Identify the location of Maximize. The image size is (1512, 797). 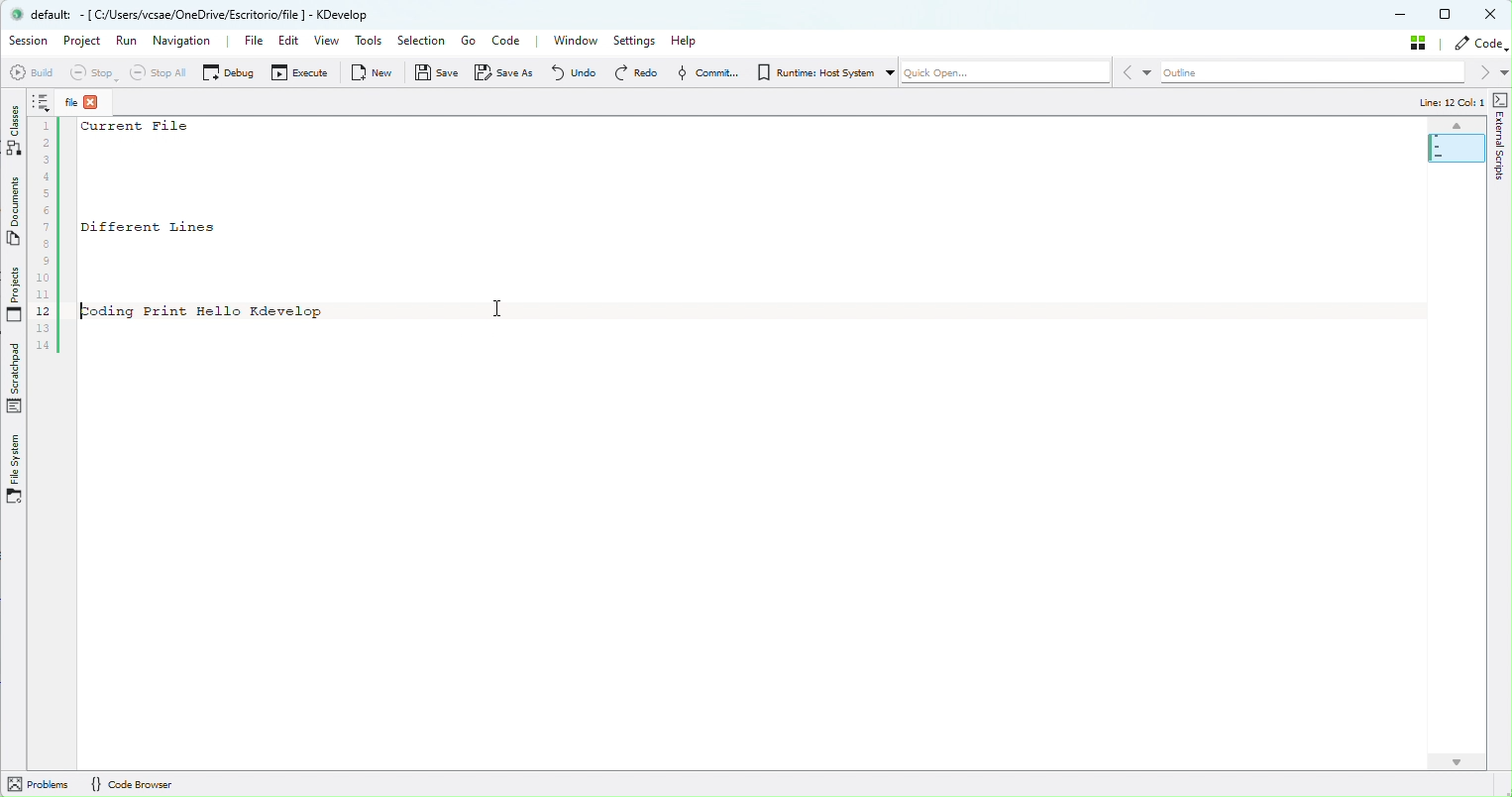
(1444, 14).